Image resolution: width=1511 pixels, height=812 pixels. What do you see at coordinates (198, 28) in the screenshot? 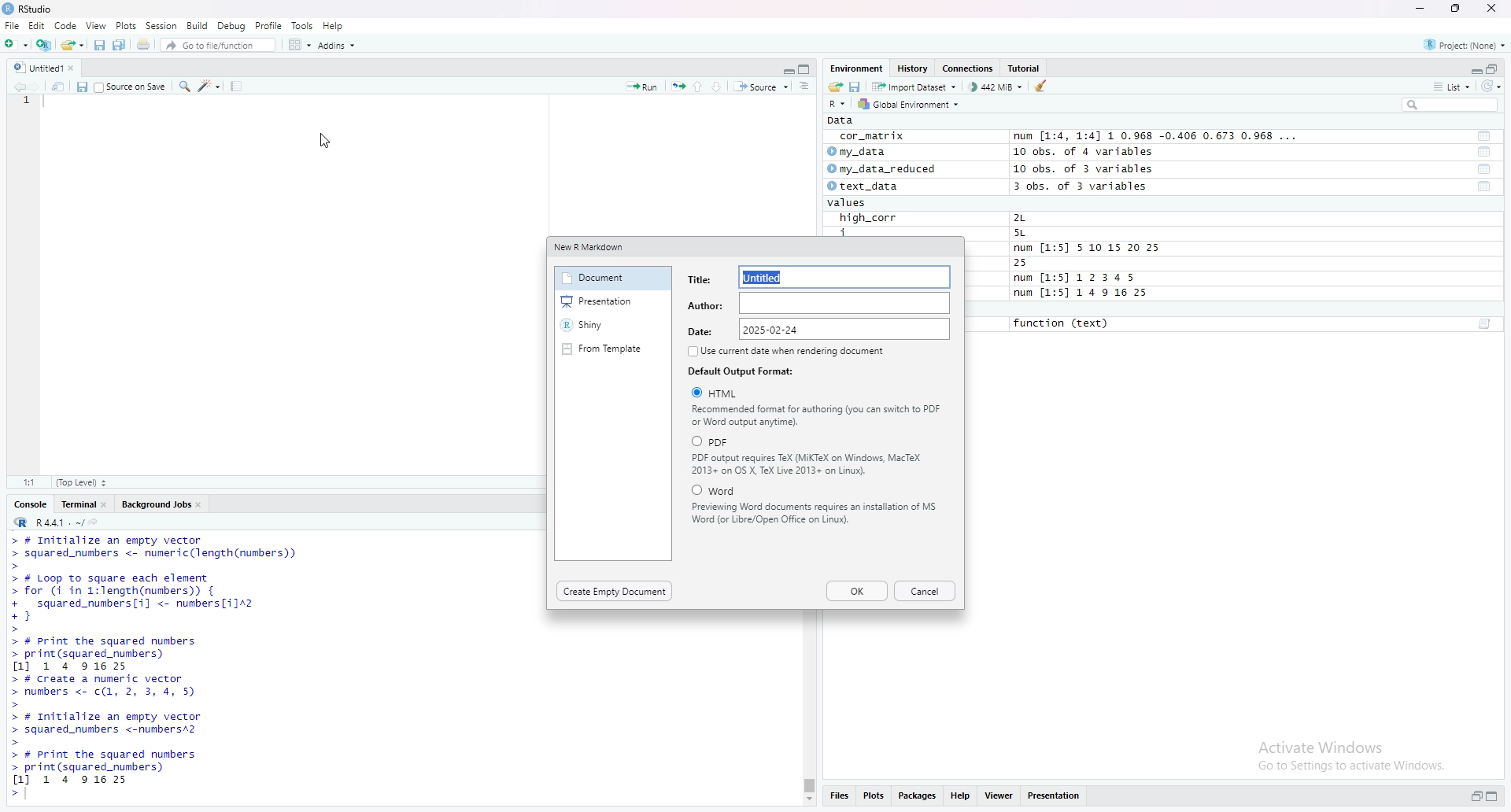
I see `Build` at bounding box center [198, 28].